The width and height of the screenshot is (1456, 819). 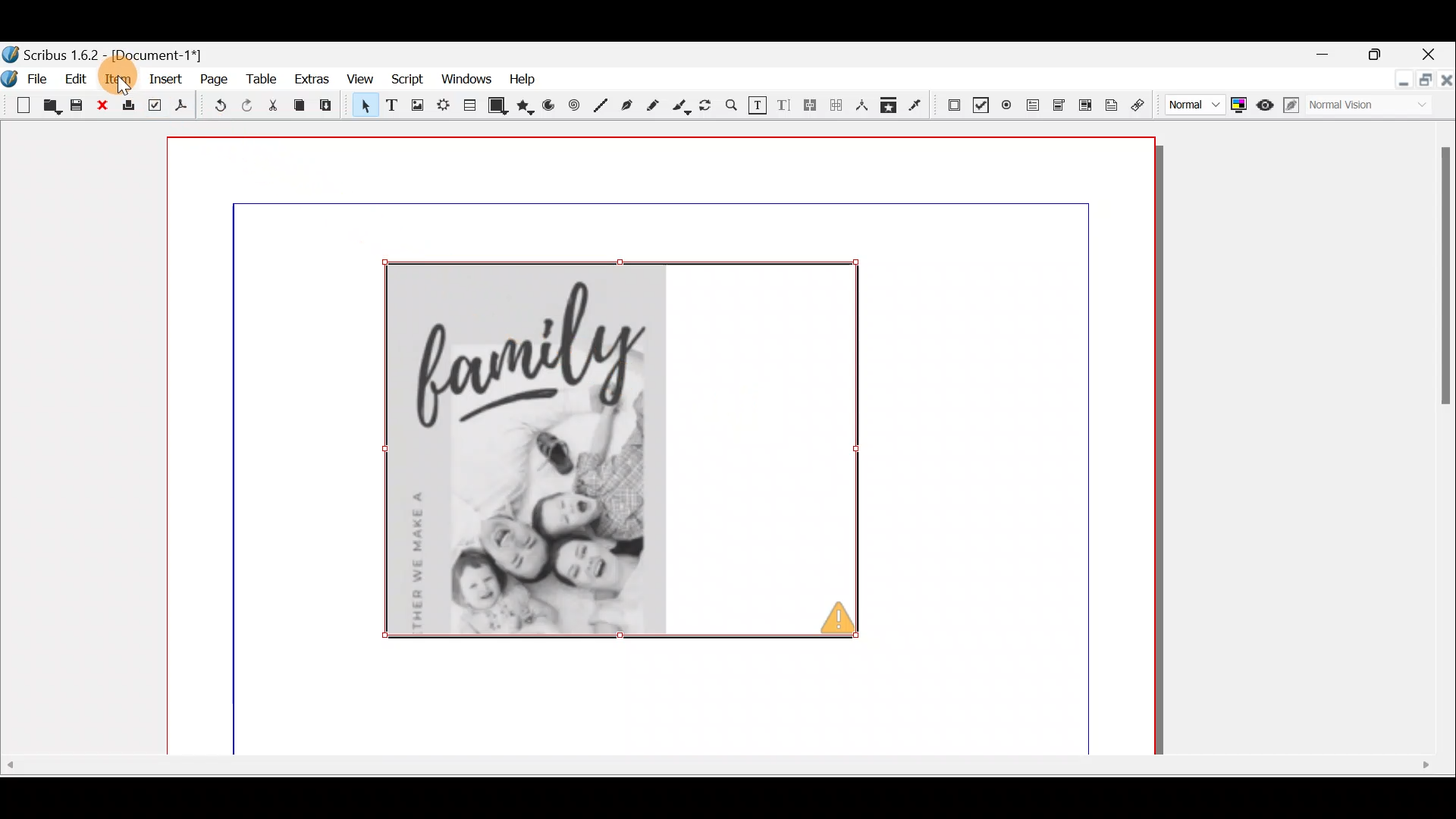 I want to click on Freehand line, so click(x=656, y=105).